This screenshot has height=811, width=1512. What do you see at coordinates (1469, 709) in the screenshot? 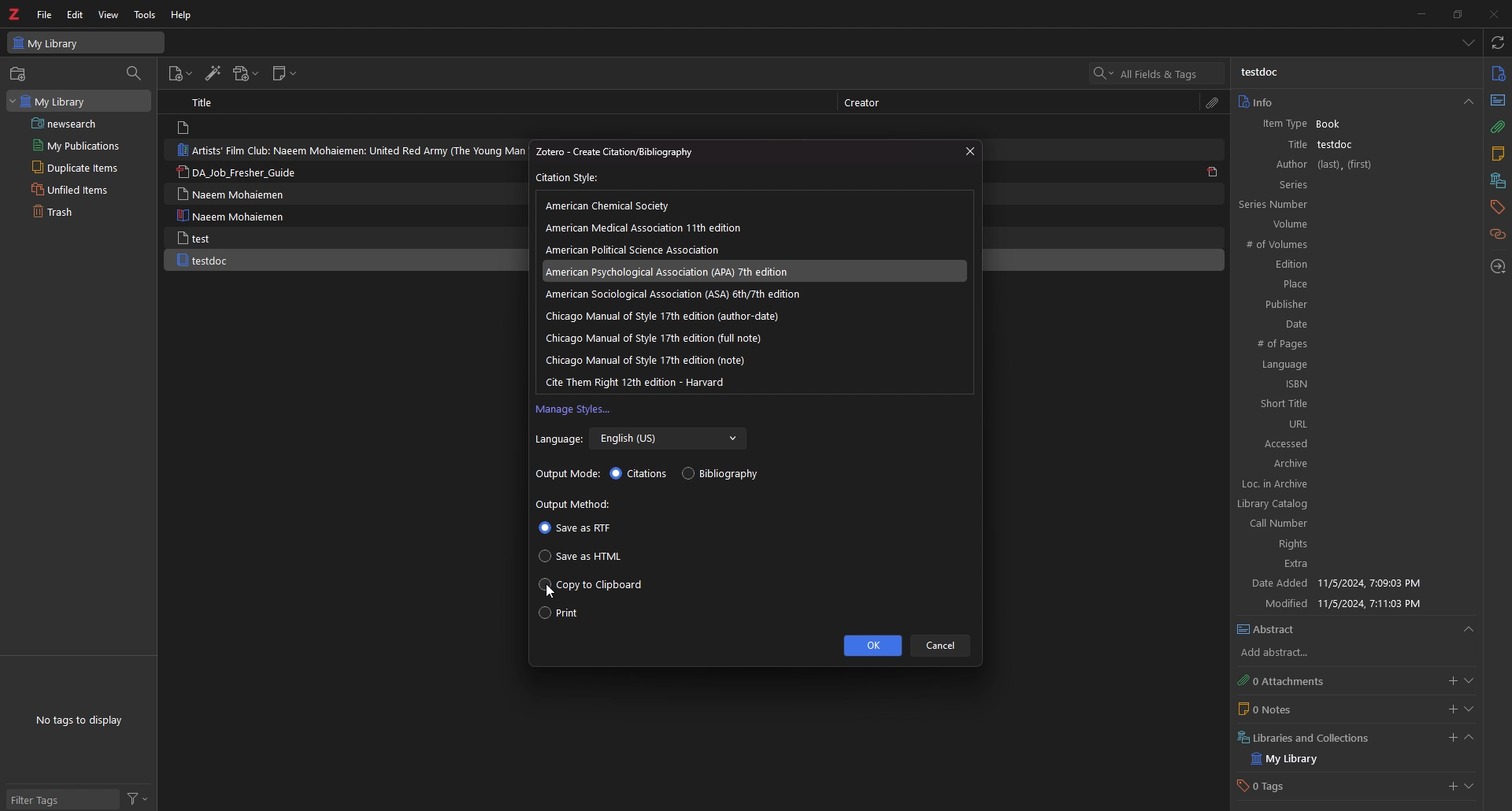
I see `show` at bounding box center [1469, 709].